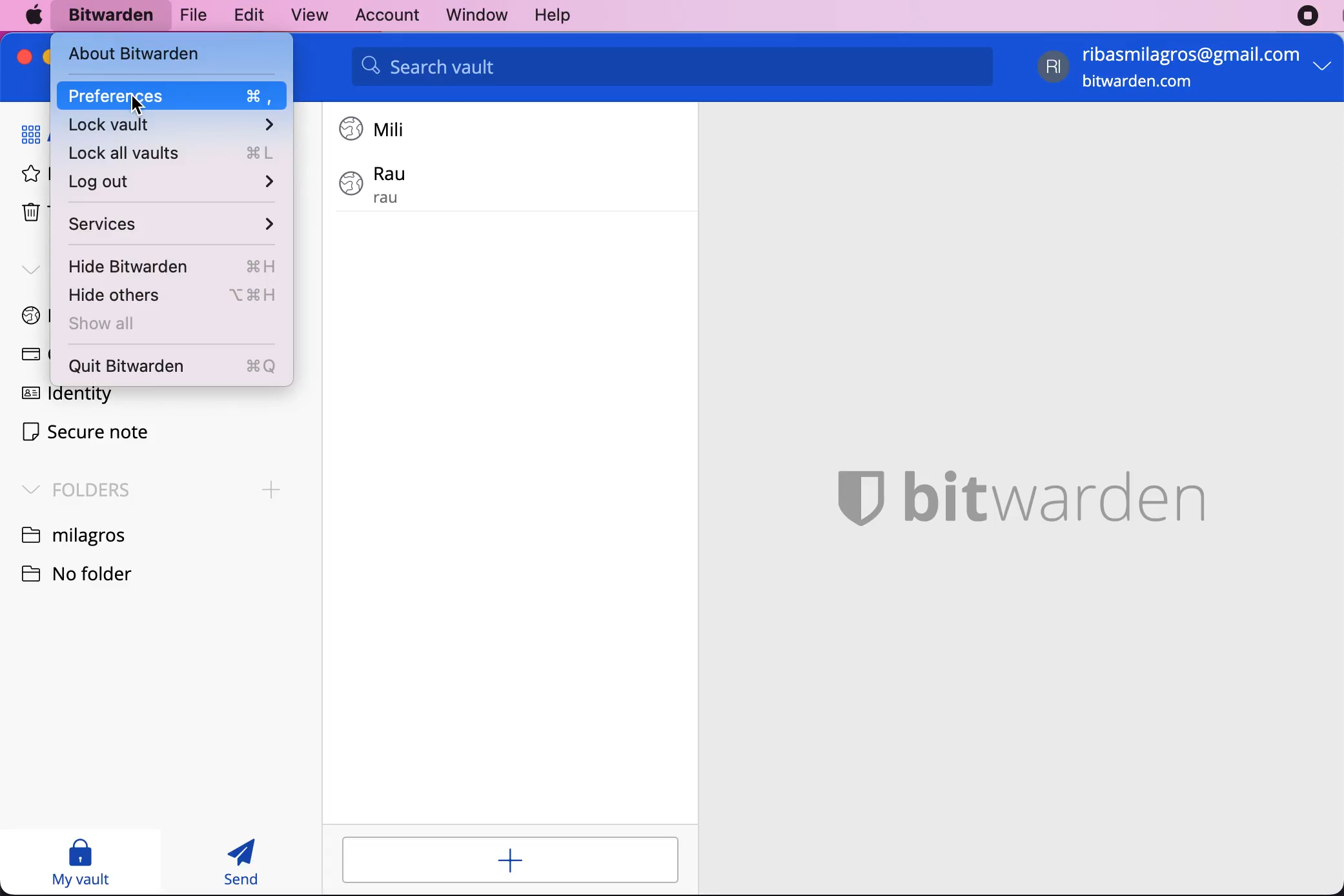  What do you see at coordinates (47, 57) in the screenshot?
I see `minimize` at bounding box center [47, 57].